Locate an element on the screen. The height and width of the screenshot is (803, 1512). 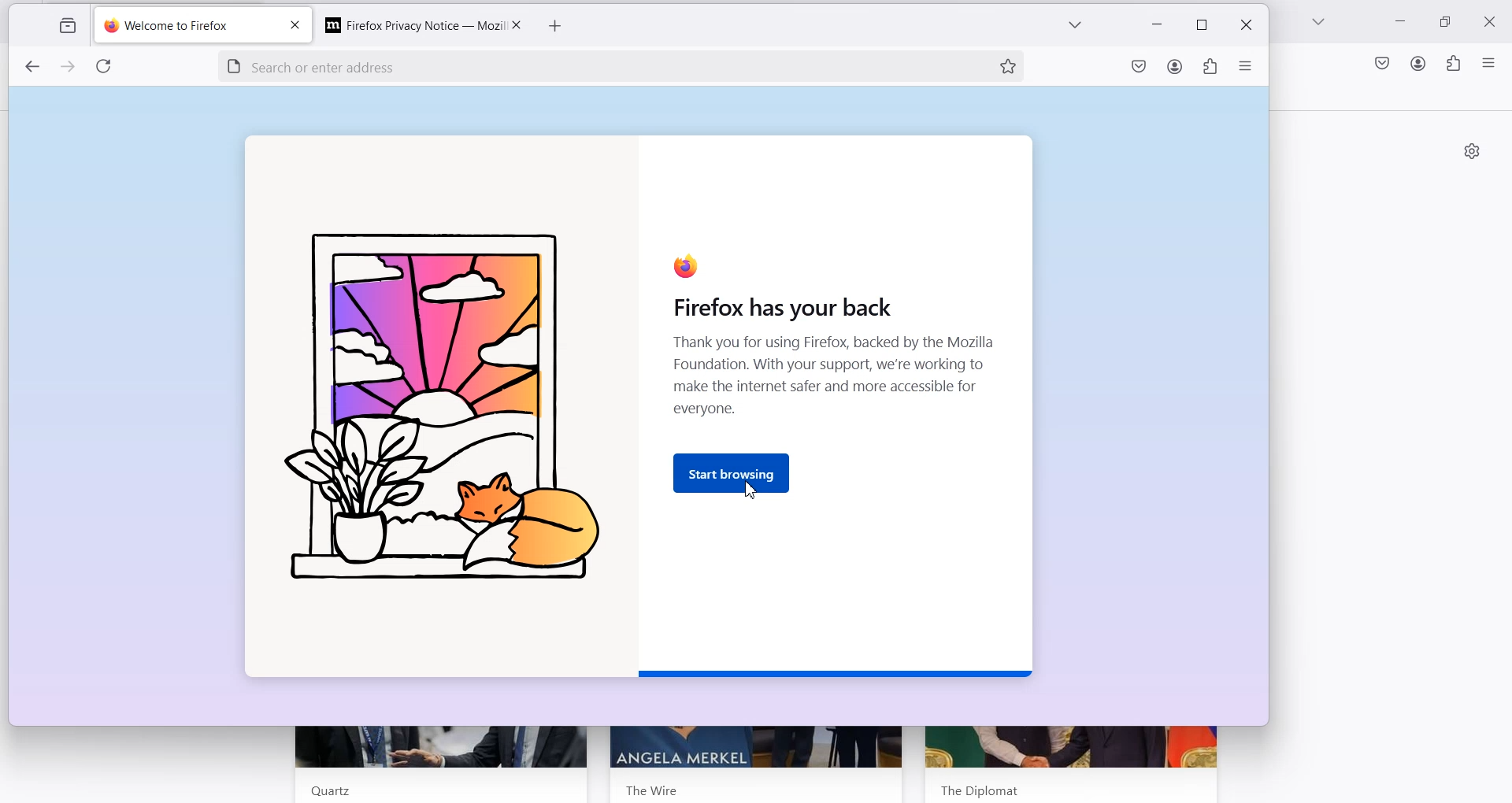
The Wire is located at coordinates (654, 787).